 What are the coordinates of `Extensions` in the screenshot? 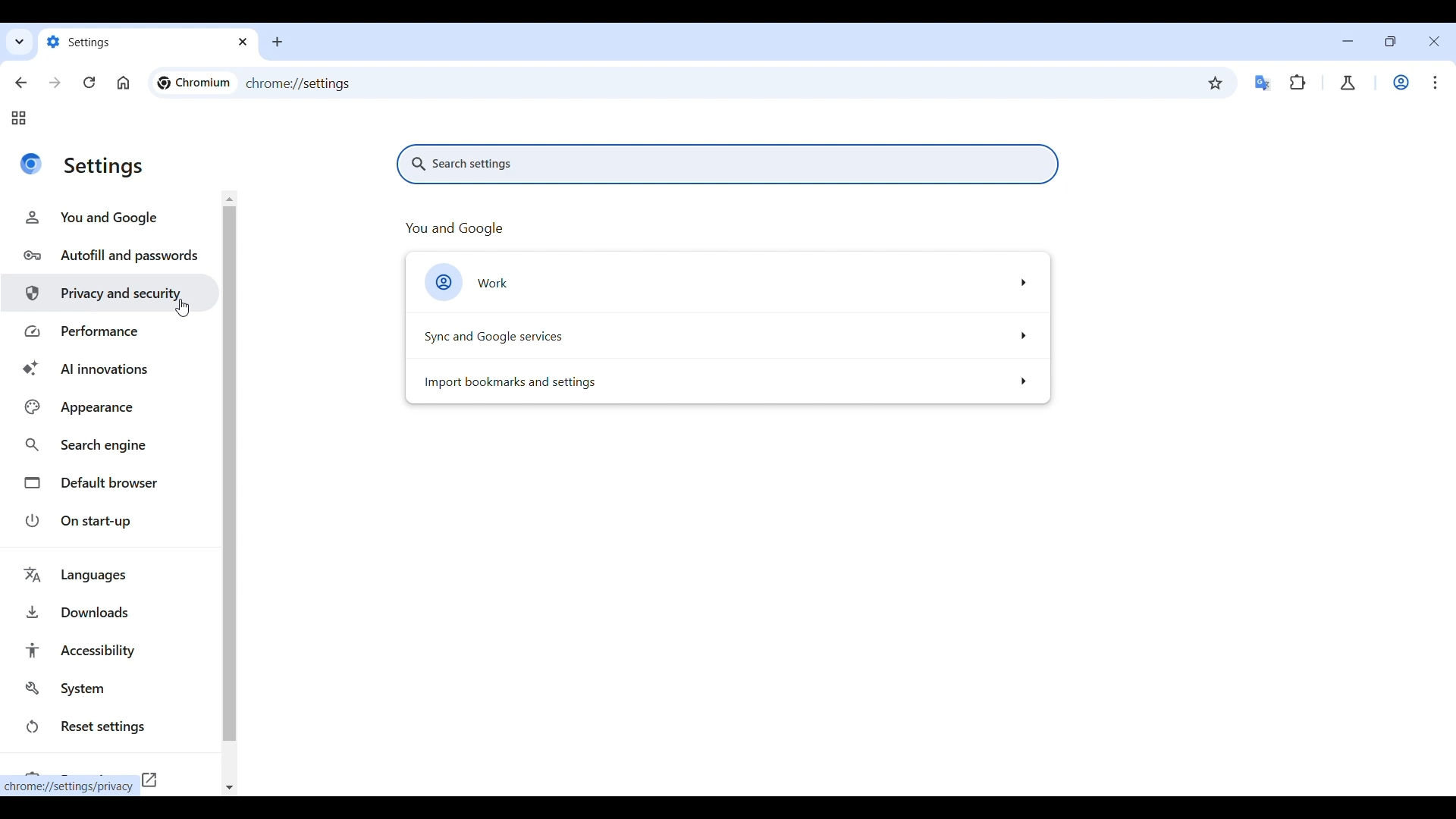 It's located at (1298, 82).